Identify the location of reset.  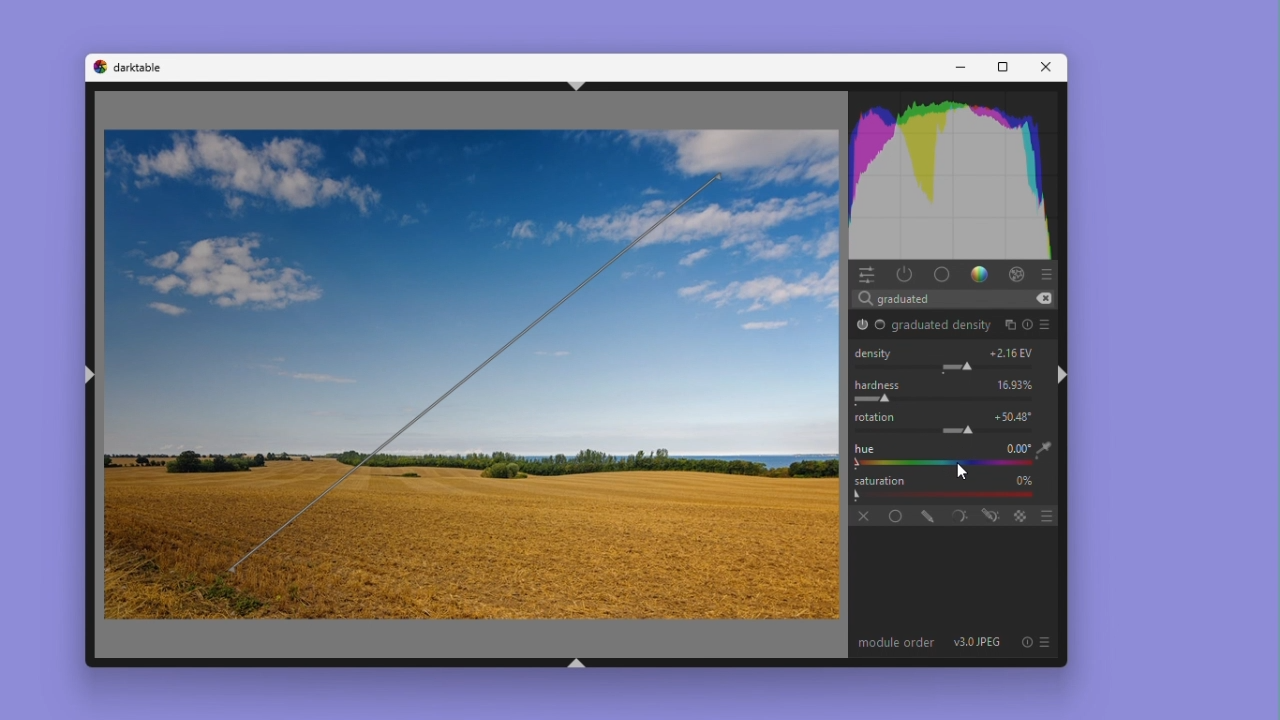
(1026, 642).